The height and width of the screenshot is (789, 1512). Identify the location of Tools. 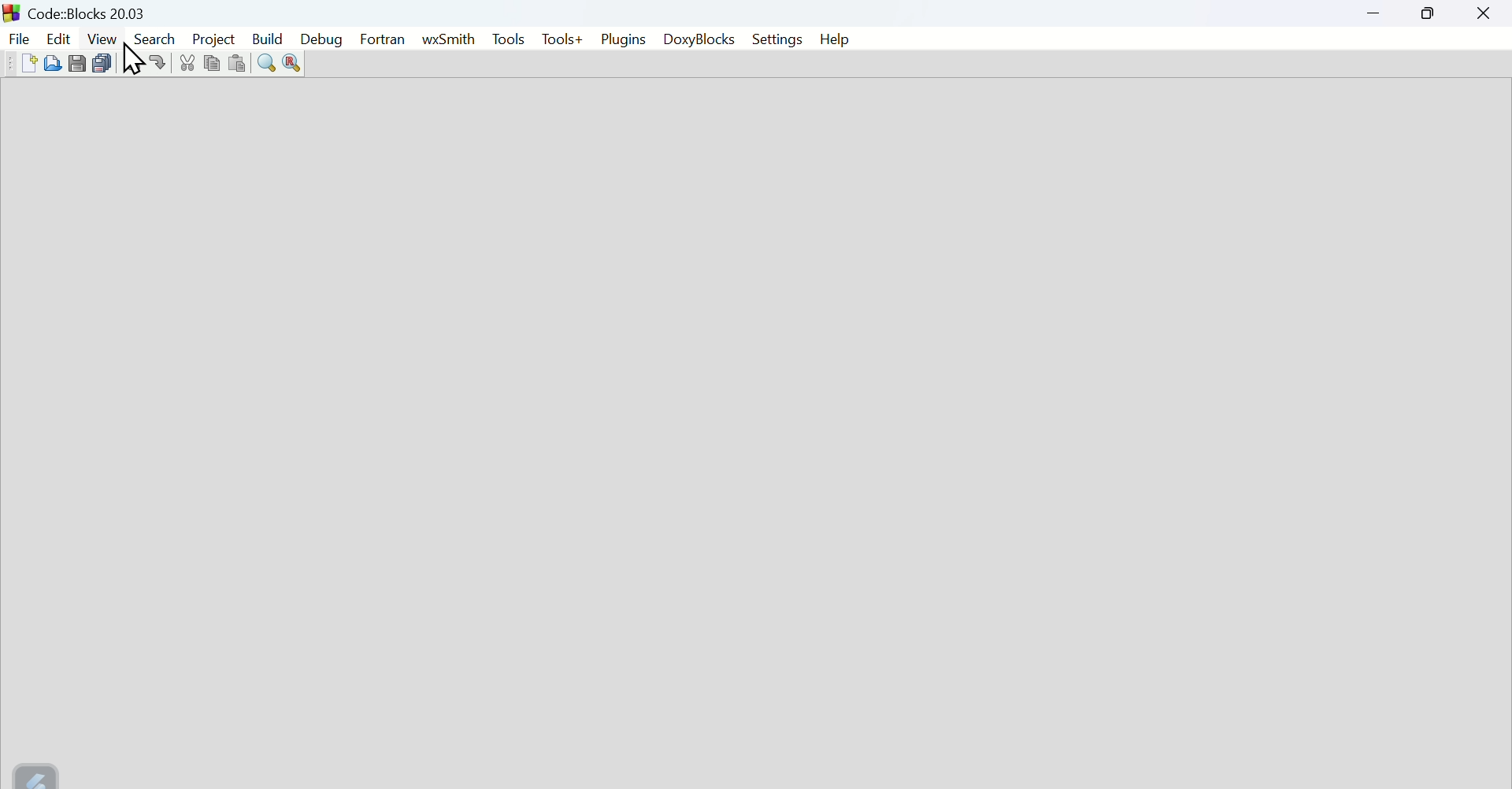
(506, 40).